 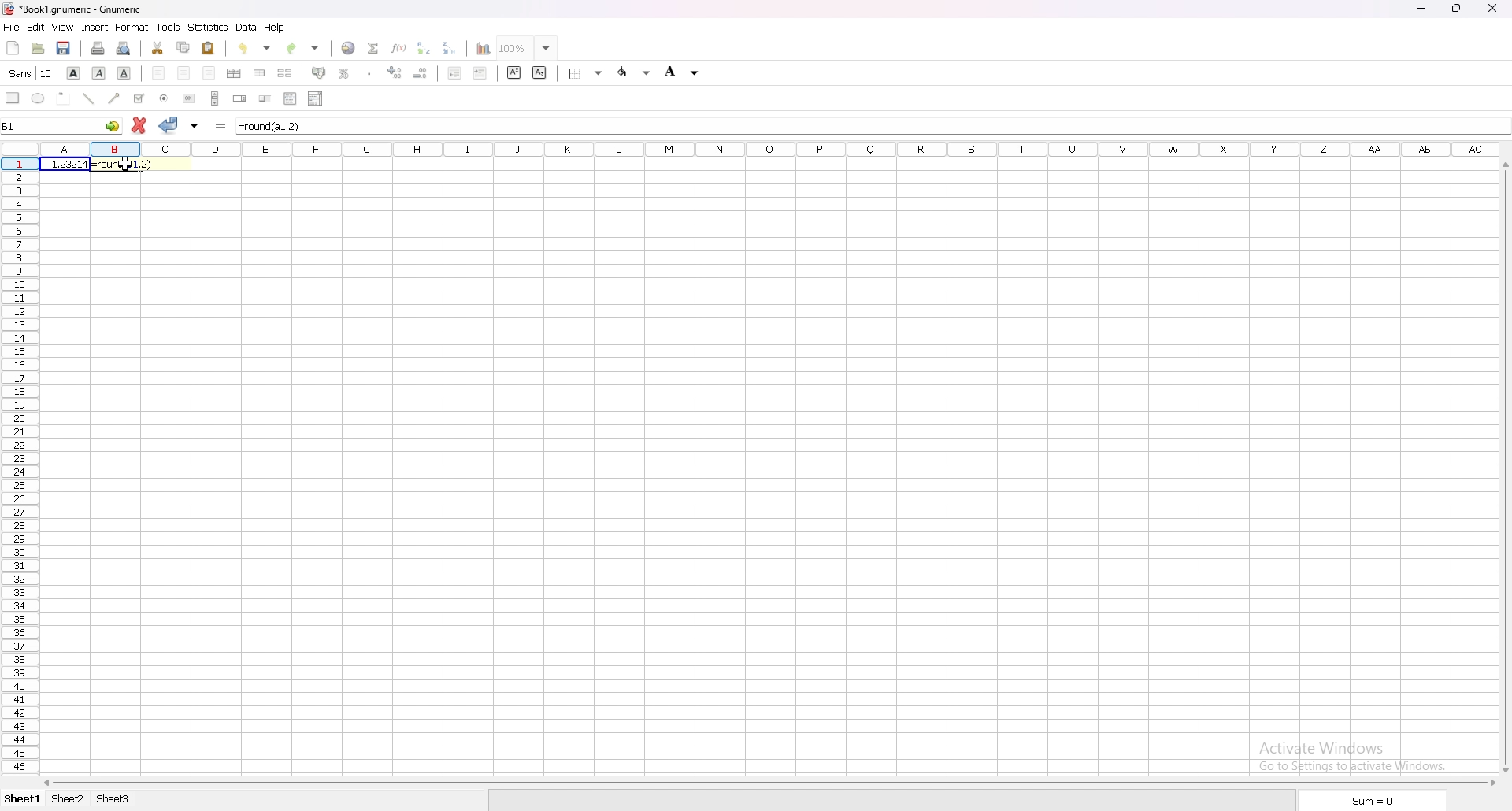 I want to click on zoom, so click(x=524, y=49).